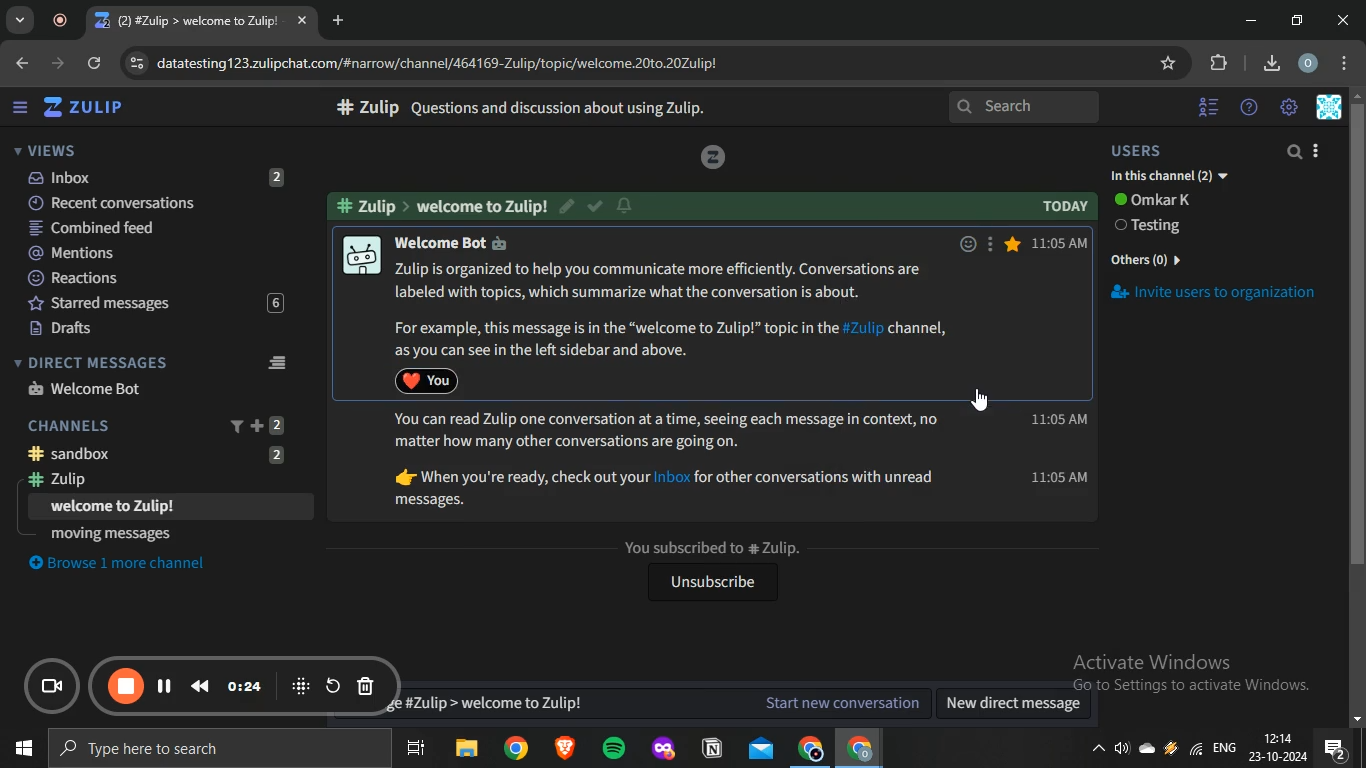 The height and width of the screenshot is (768, 1366). What do you see at coordinates (657, 703) in the screenshot?
I see `new message` at bounding box center [657, 703].